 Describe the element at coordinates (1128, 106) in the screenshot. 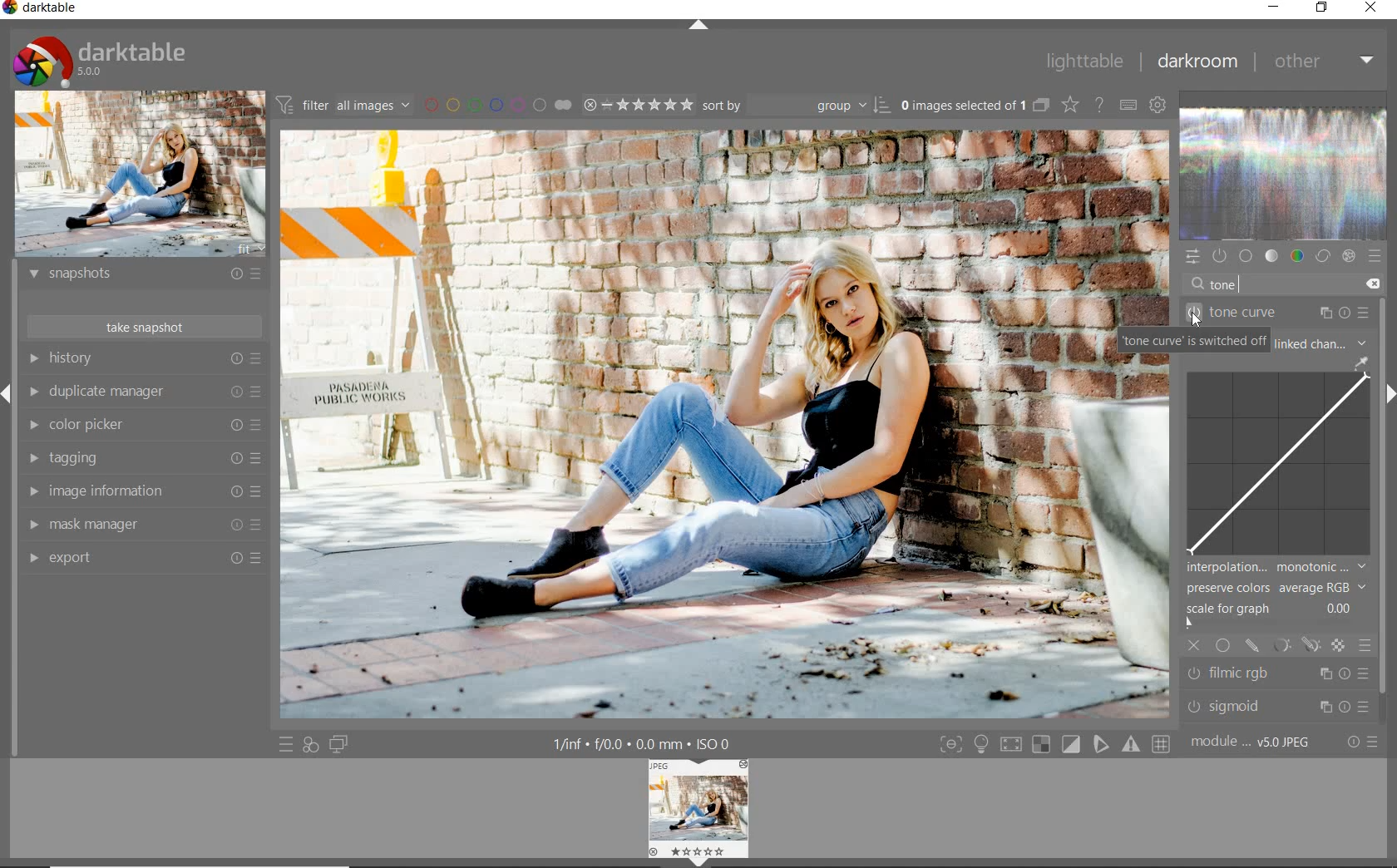

I see `set keyboard shortcuts` at that location.